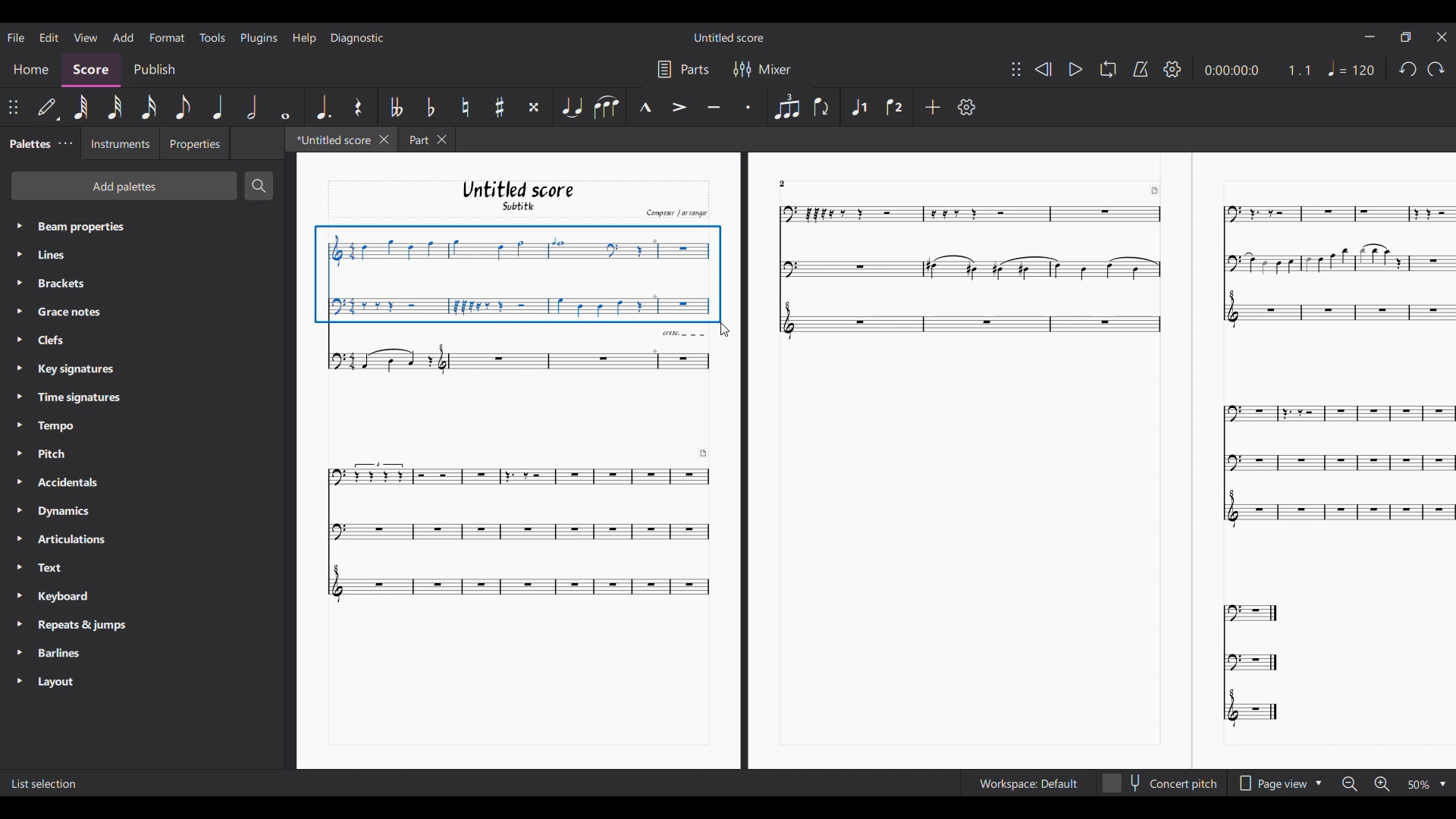 This screenshot has width=1456, height=819. What do you see at coordinates (430, 107) in the screenshot?
I see `Toggle flat` at bounding box center [430, 107].